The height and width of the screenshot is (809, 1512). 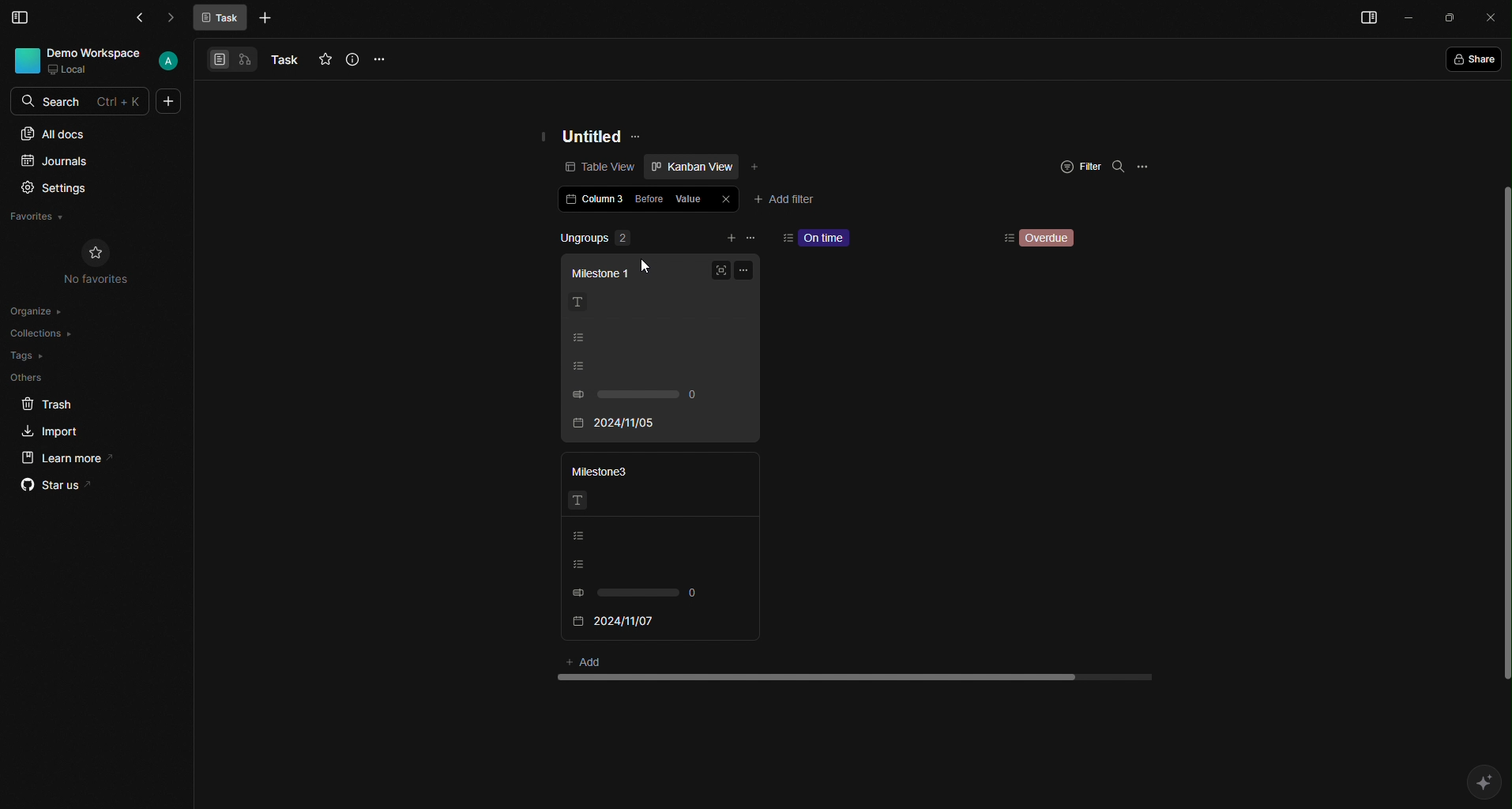 What do you see at coordinates (599, 272) in the screenshot?
I see `Milestone 1` at bounding box center [599, 272].